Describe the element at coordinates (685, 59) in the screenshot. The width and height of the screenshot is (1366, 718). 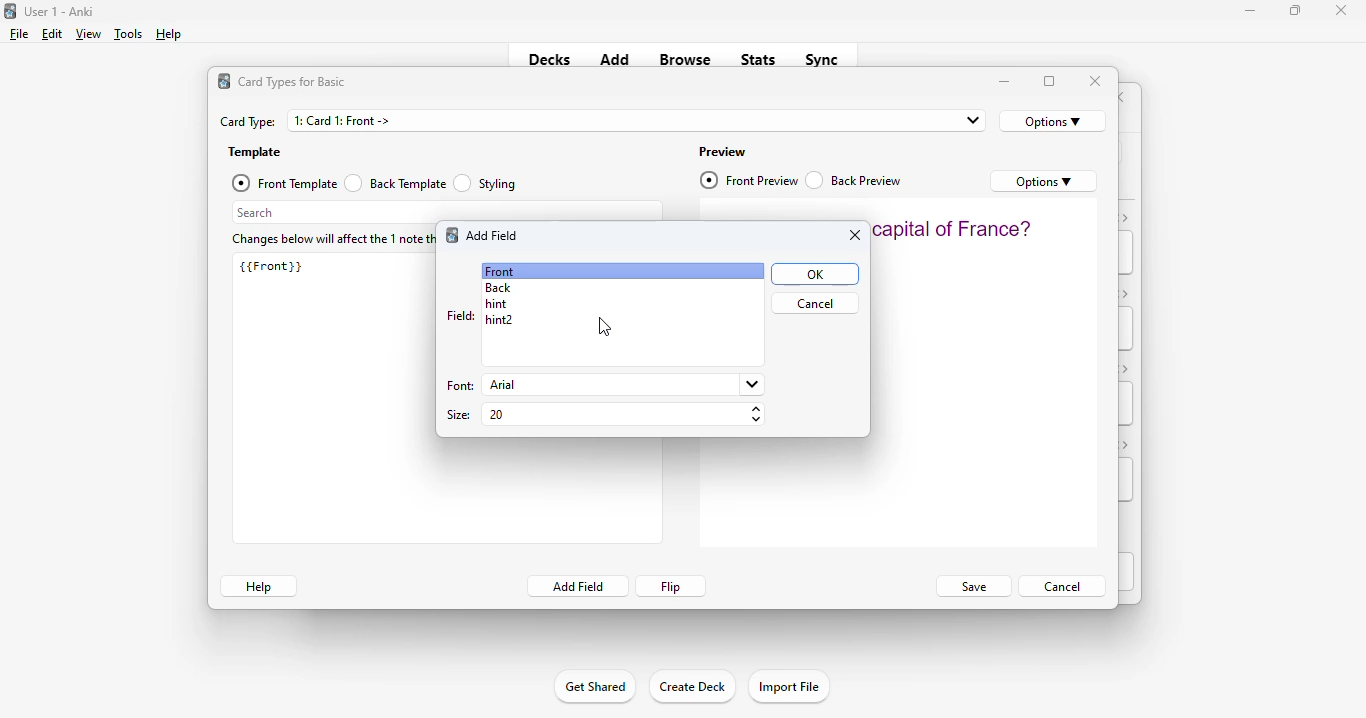
I see `browse` at that location.